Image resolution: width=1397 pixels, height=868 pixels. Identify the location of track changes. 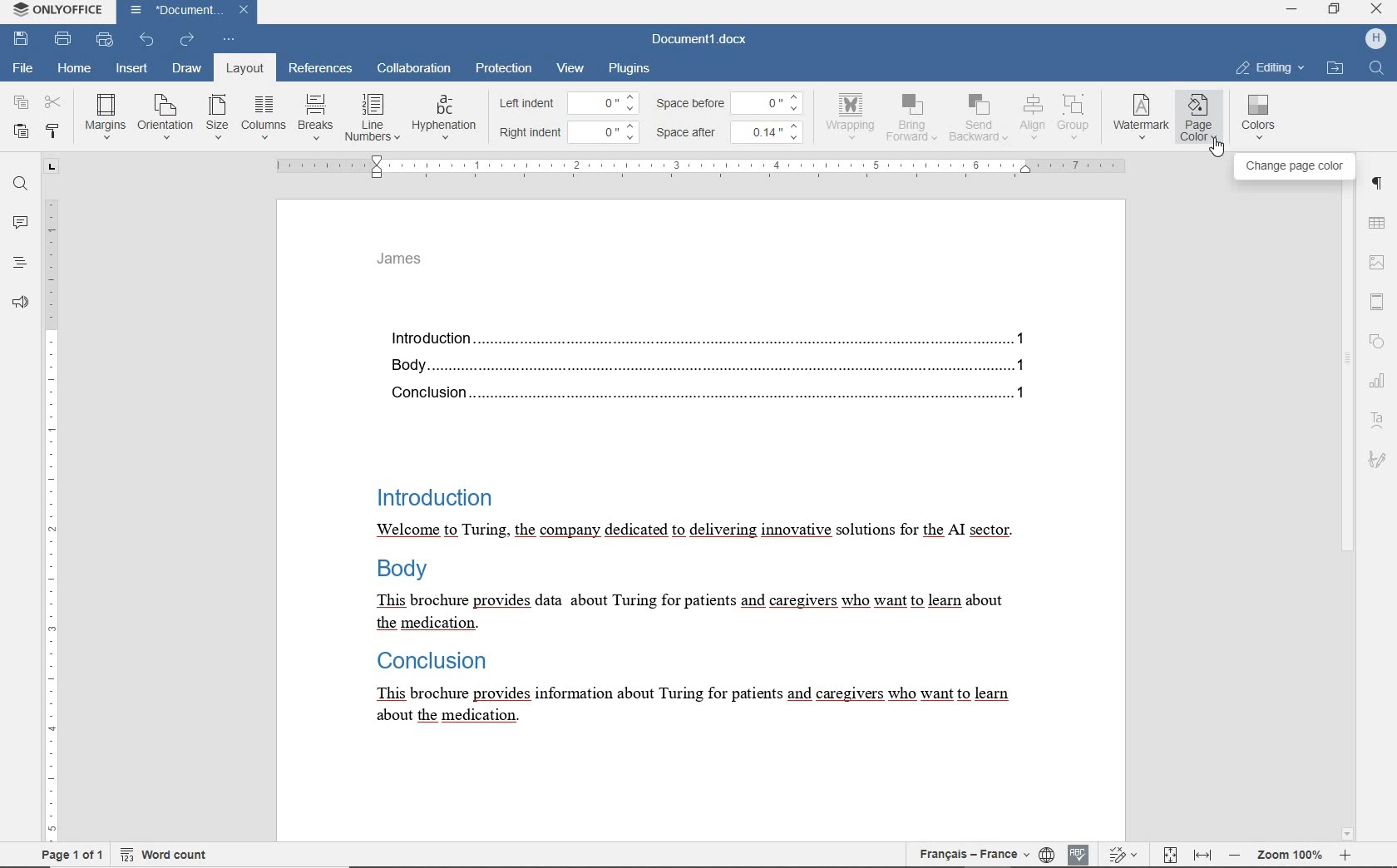
(1125, 851).